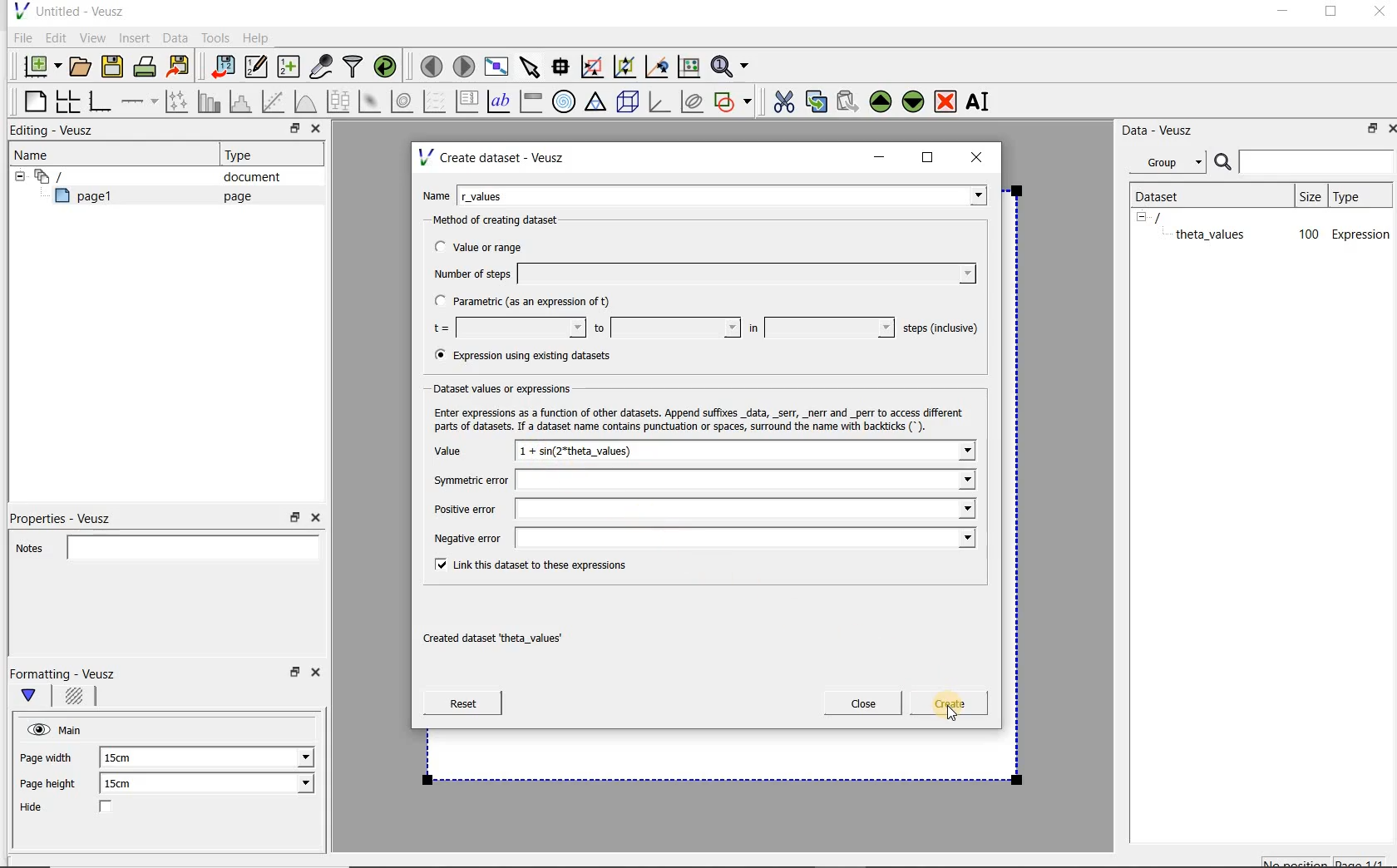 Image resolution: width=1397 pixels, height=868 pixels. Describe the element at coordinates (1361, 234) in the screenshot. I see `Expression` at that location.